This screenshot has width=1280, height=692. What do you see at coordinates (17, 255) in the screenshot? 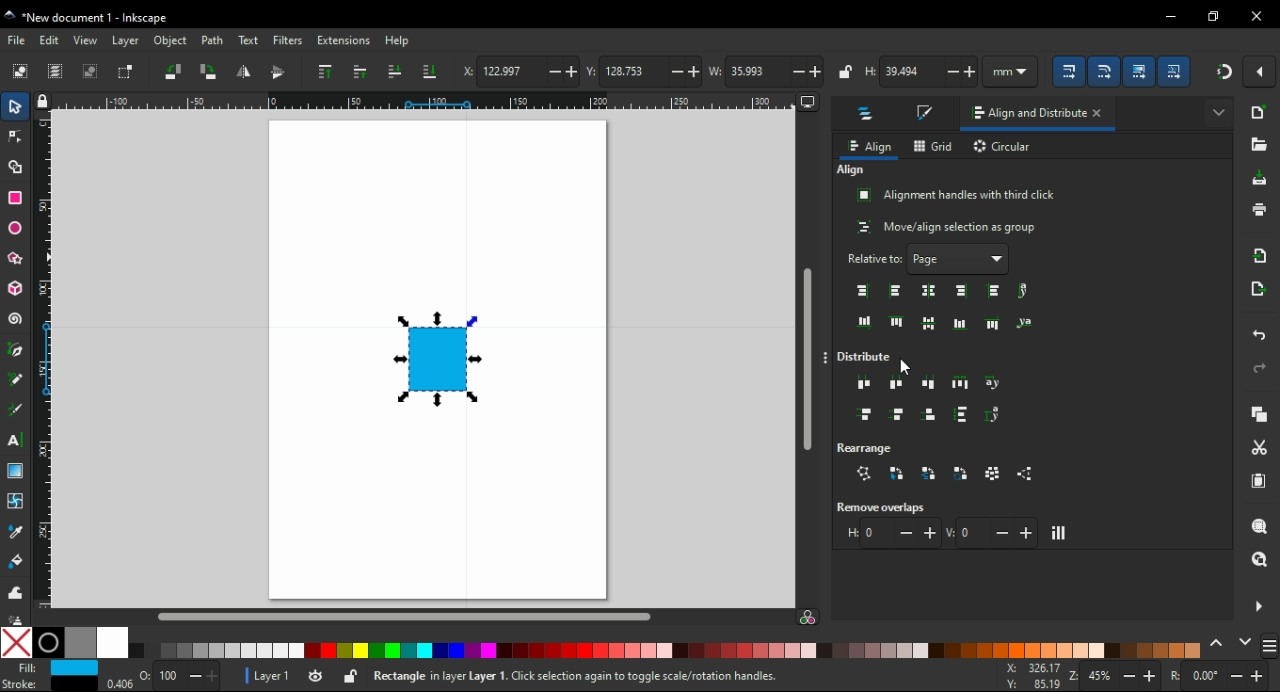
I see `star/polygon tools` at bounding box center [17, 255].